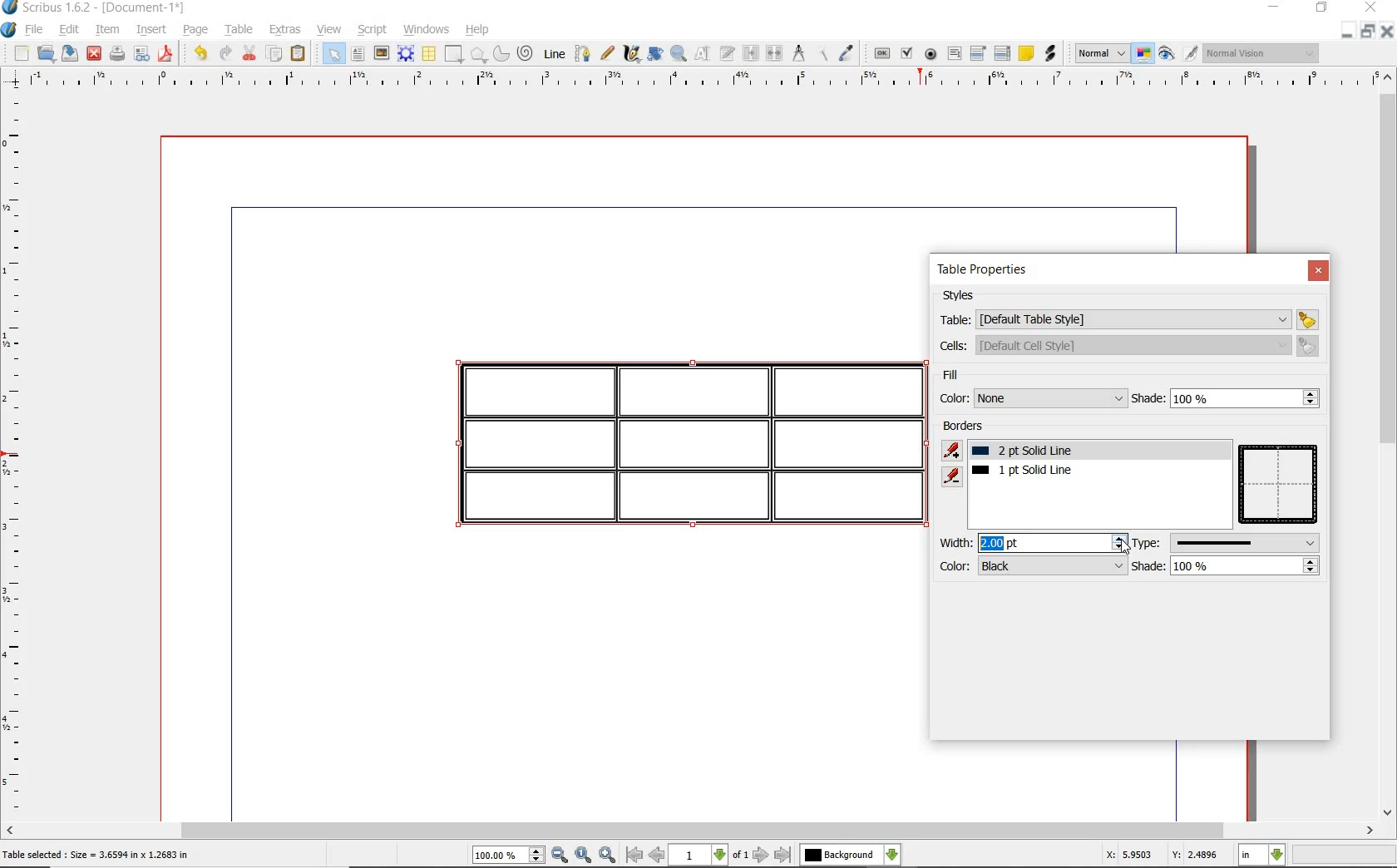  I want to click on script, so click(373, 31).